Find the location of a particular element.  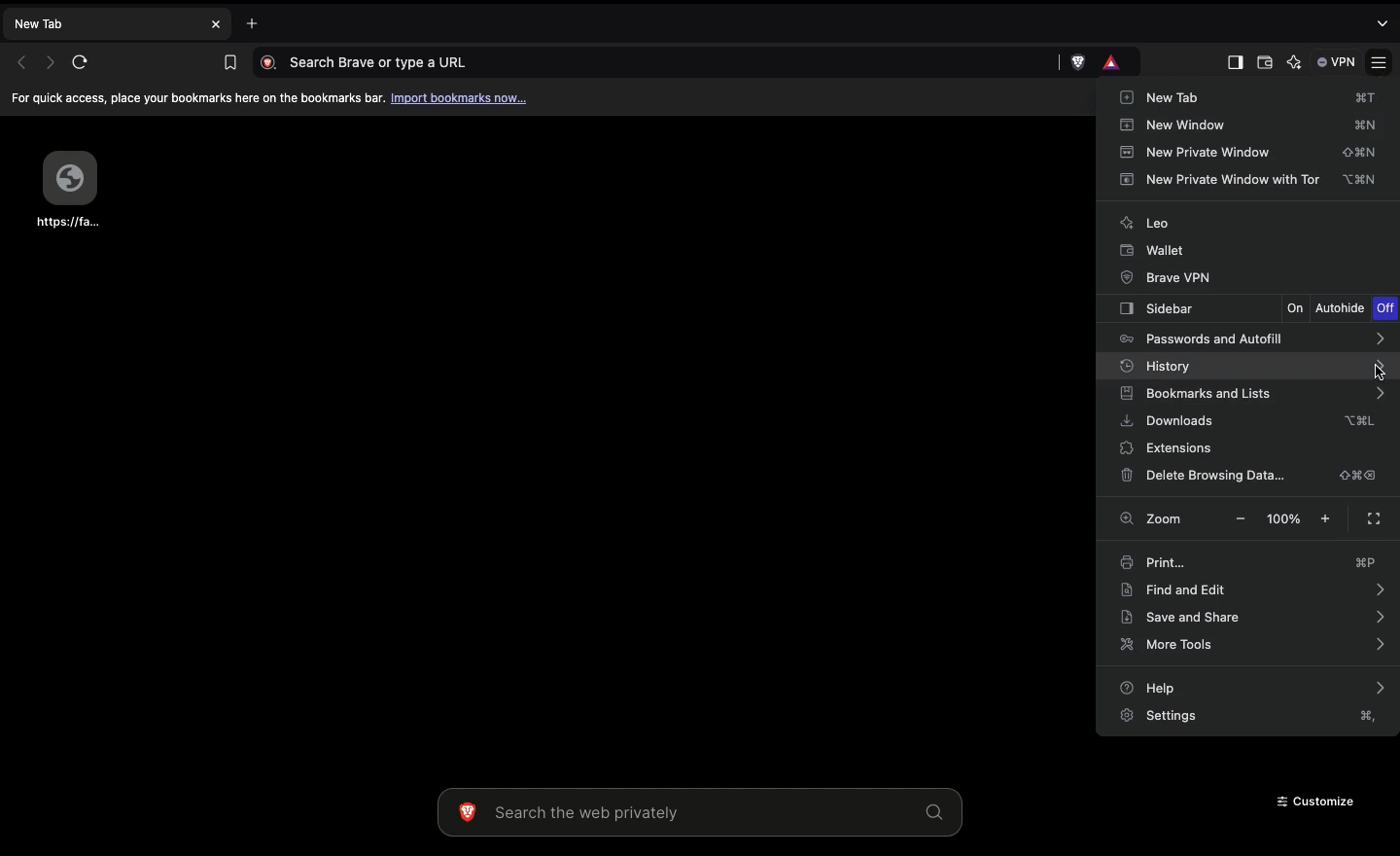

New window is located at coordinates (1240, 127).